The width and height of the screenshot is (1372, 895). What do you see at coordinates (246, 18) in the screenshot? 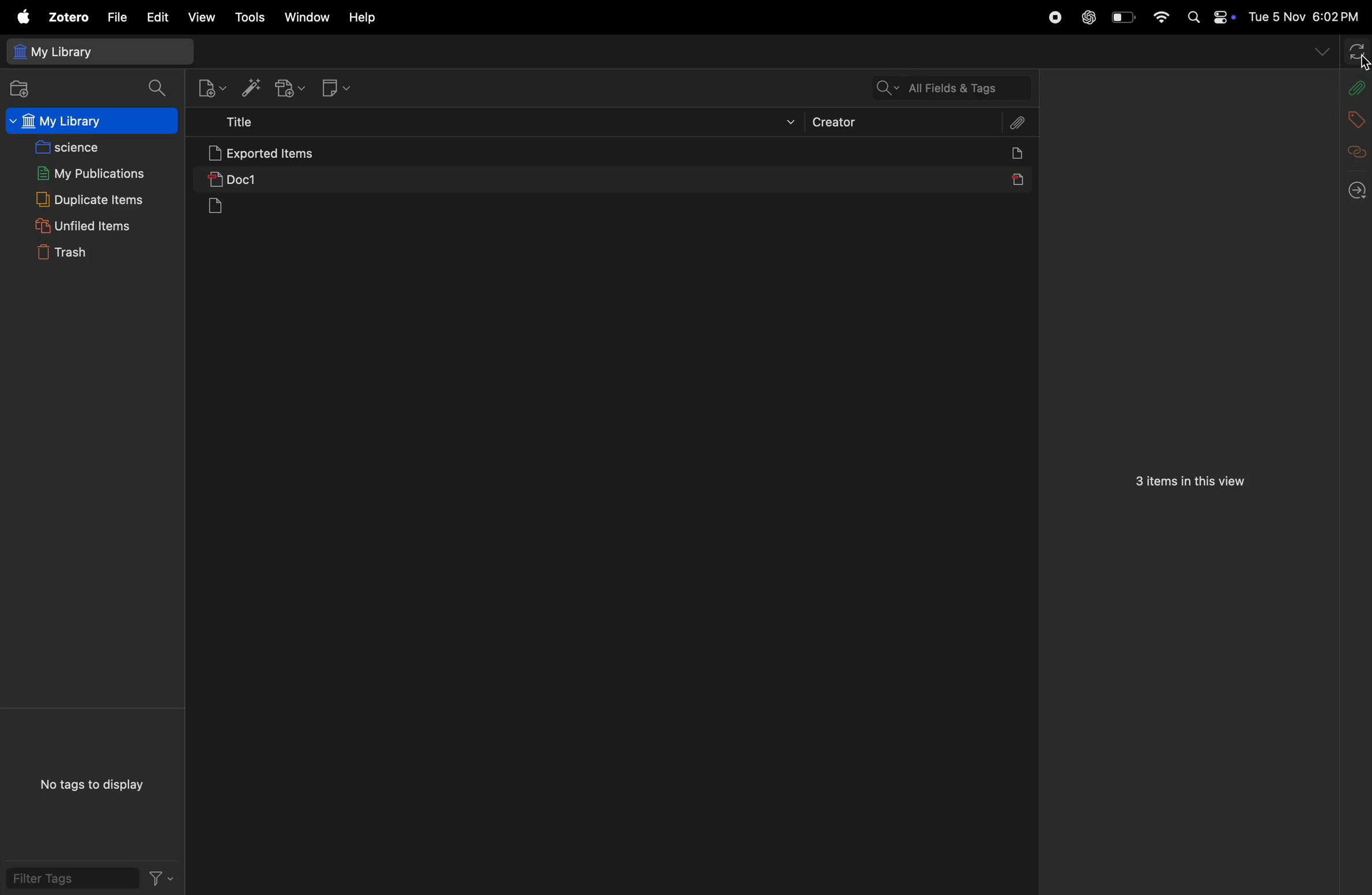
I see `tools` at bounding box center [246, 18].